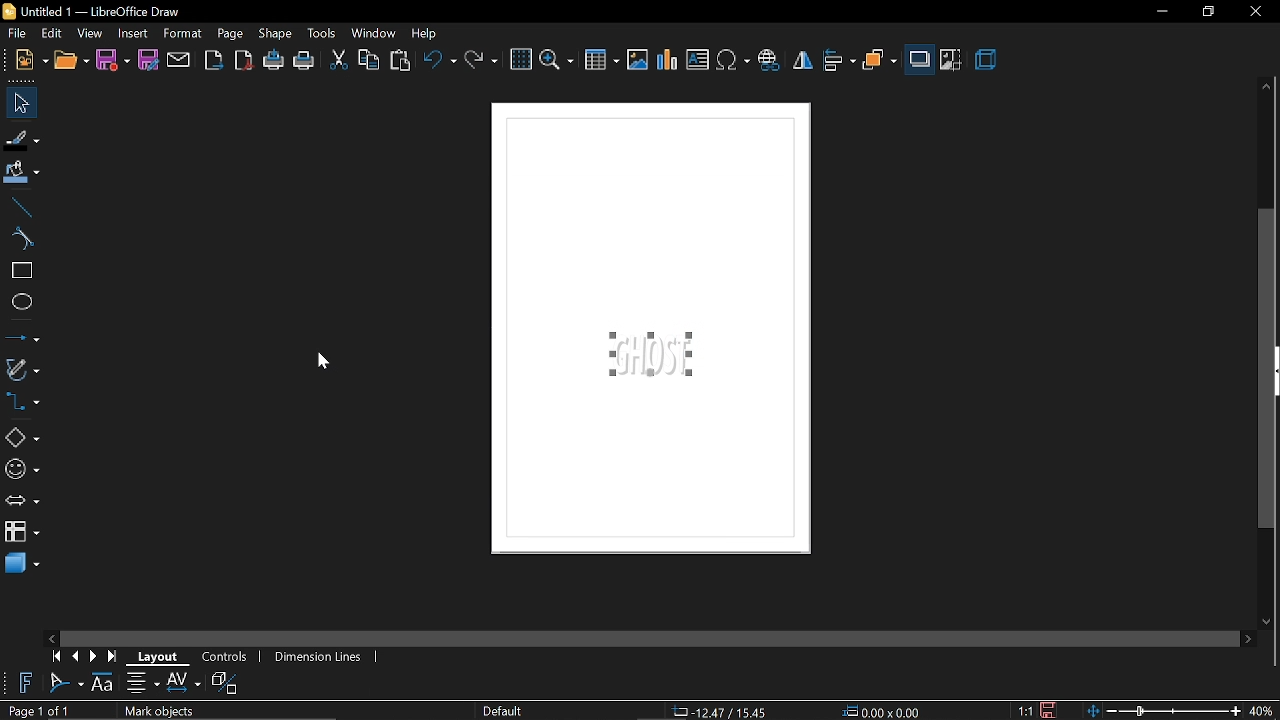 The height and width of the screenshot is (720, 1280). Describe the element at coordinates (110, 656) in the screenshot. I see `go to last page` at that location.